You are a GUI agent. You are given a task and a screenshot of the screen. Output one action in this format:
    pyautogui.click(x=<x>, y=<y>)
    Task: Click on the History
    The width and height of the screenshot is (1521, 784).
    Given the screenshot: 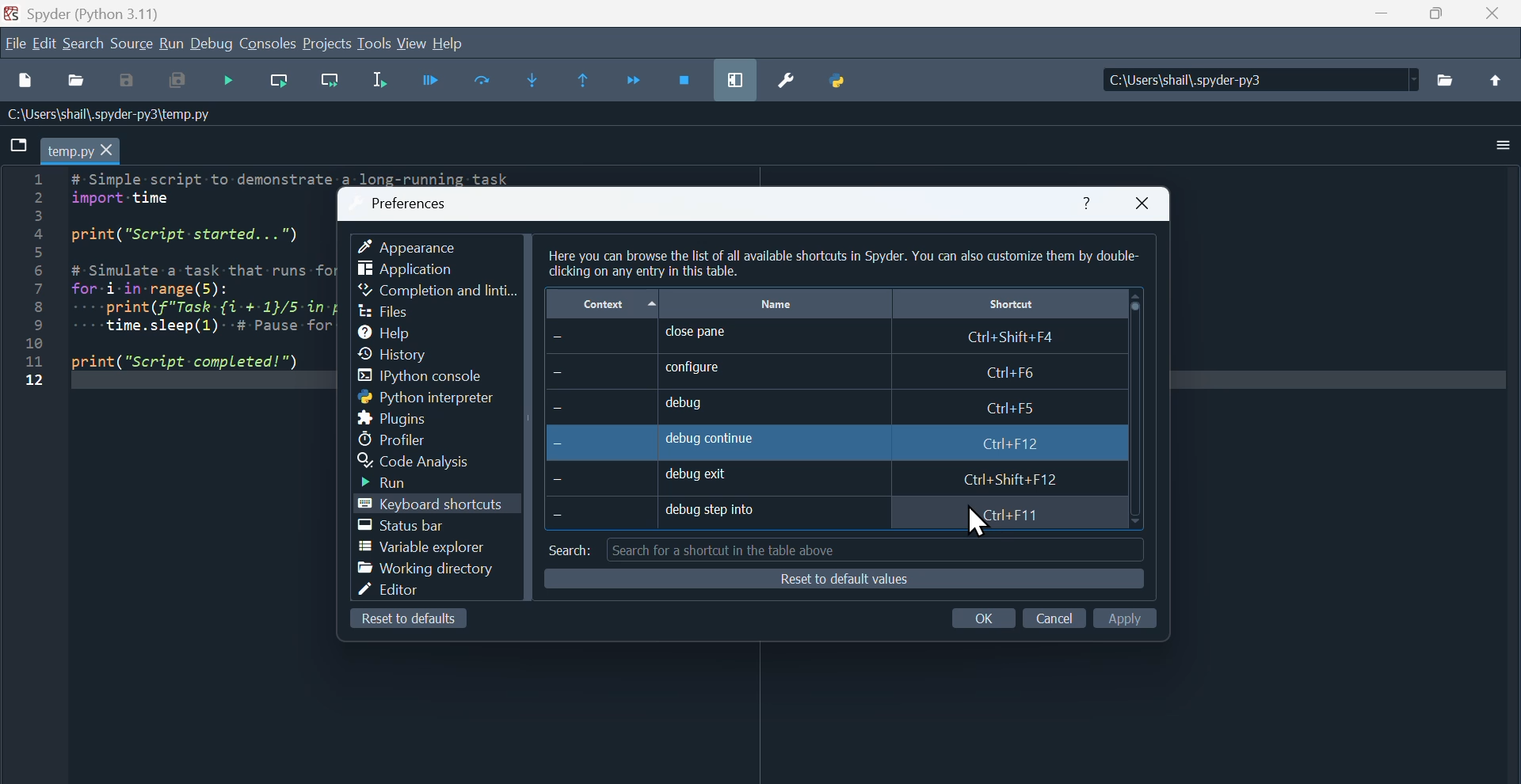 What is the action you would take?
    pyautogui.click(x=406, y=352)
    